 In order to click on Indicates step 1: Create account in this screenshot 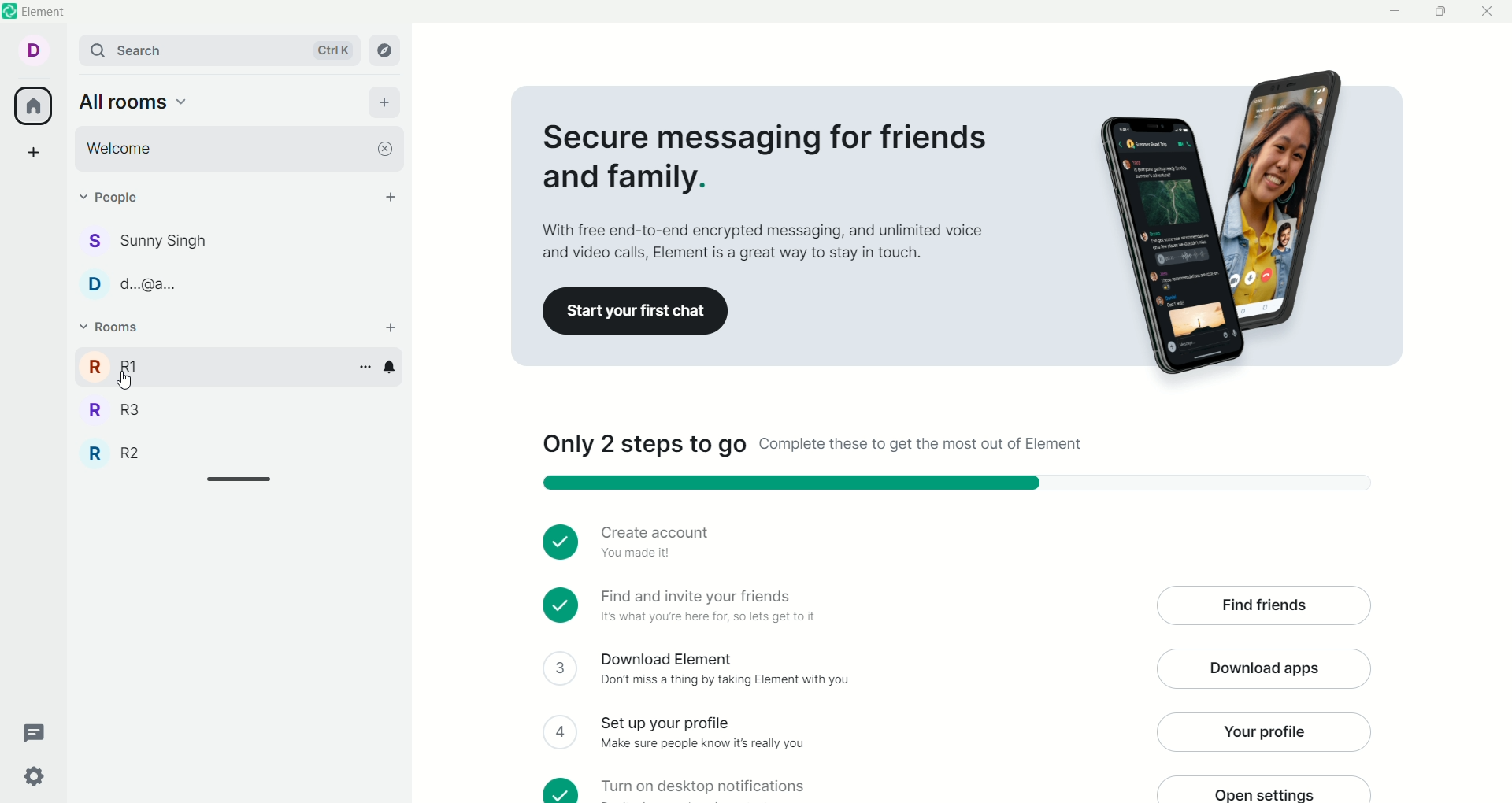, I will do `click(659, 542)`.